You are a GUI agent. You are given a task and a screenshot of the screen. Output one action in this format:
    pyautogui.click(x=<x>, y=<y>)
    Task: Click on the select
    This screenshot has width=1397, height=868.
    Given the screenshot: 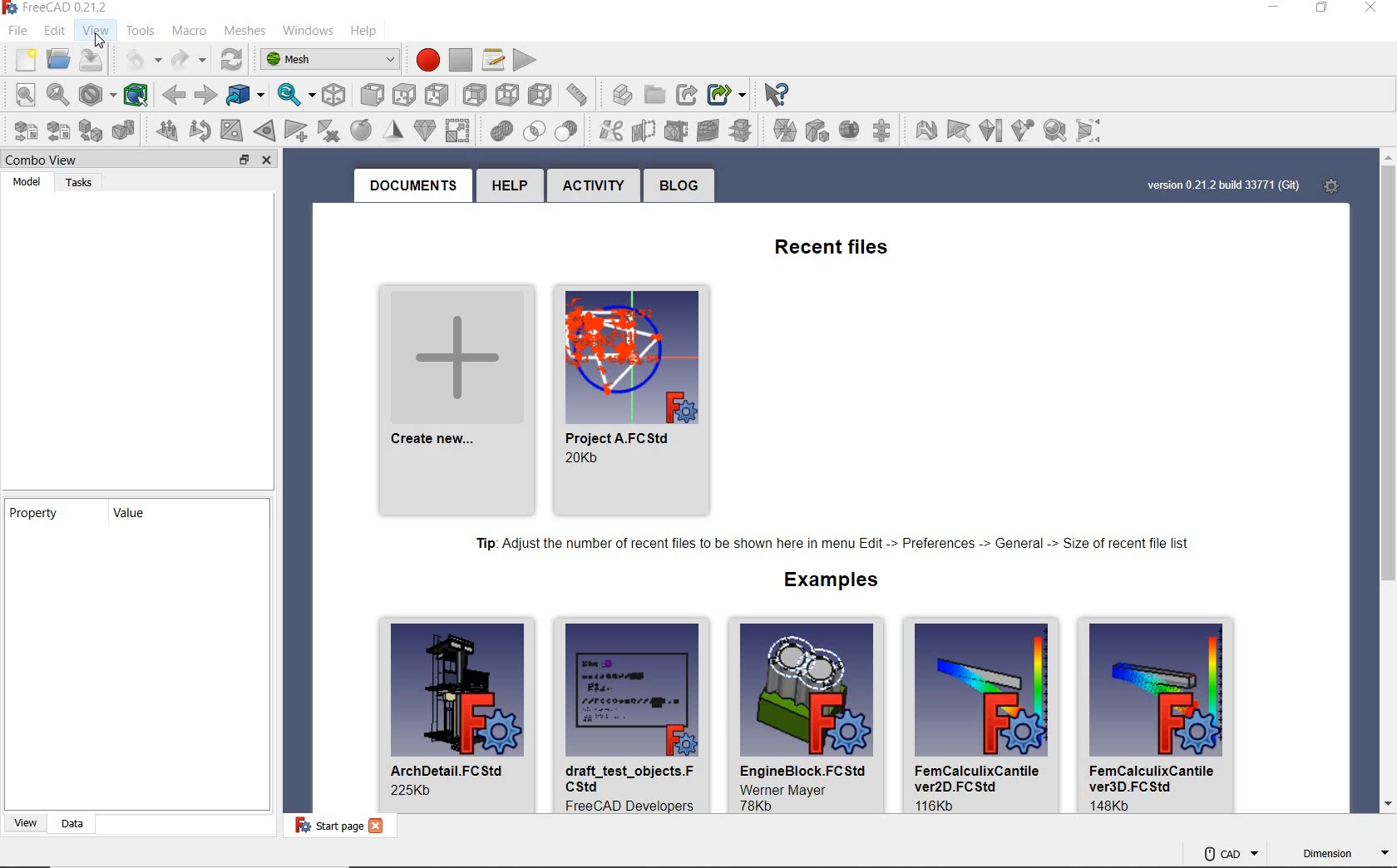 What is the action you would take?
    pyautogui.click(x=783, y=93)
    